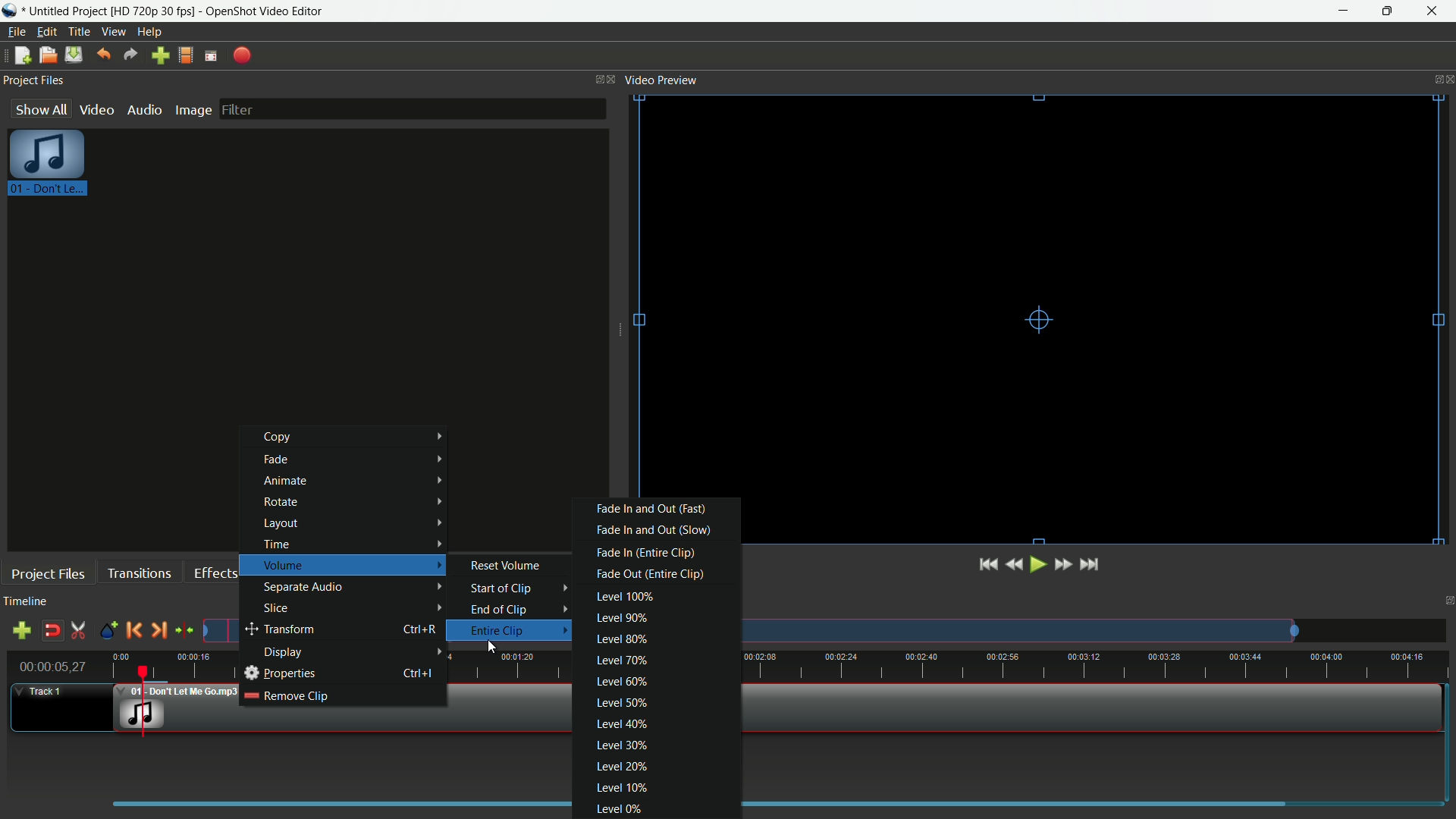 This screenshot has width=1456, height=819. What do you see at coordinates (494, 650) in the screenshot?
I see `cursor` at bounding box center [494, 650].